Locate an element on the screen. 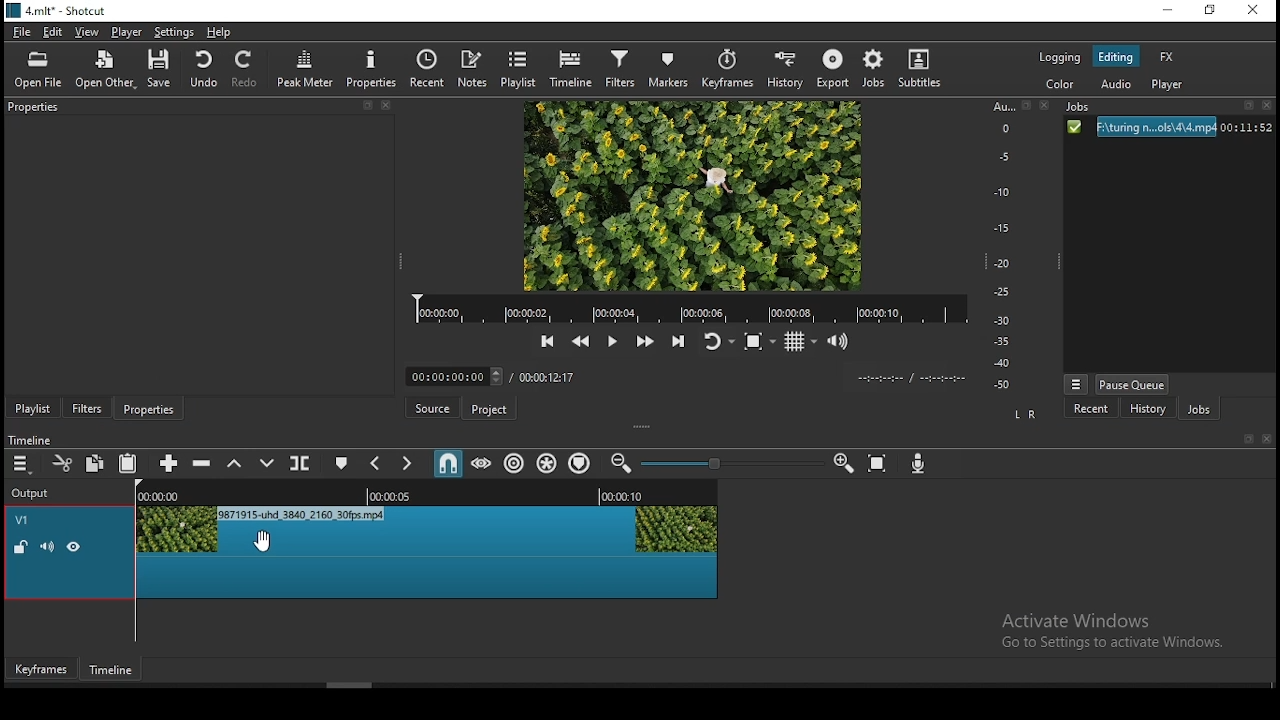 The image size is (1280, 720). editing is located at coordinates (1116, 55).